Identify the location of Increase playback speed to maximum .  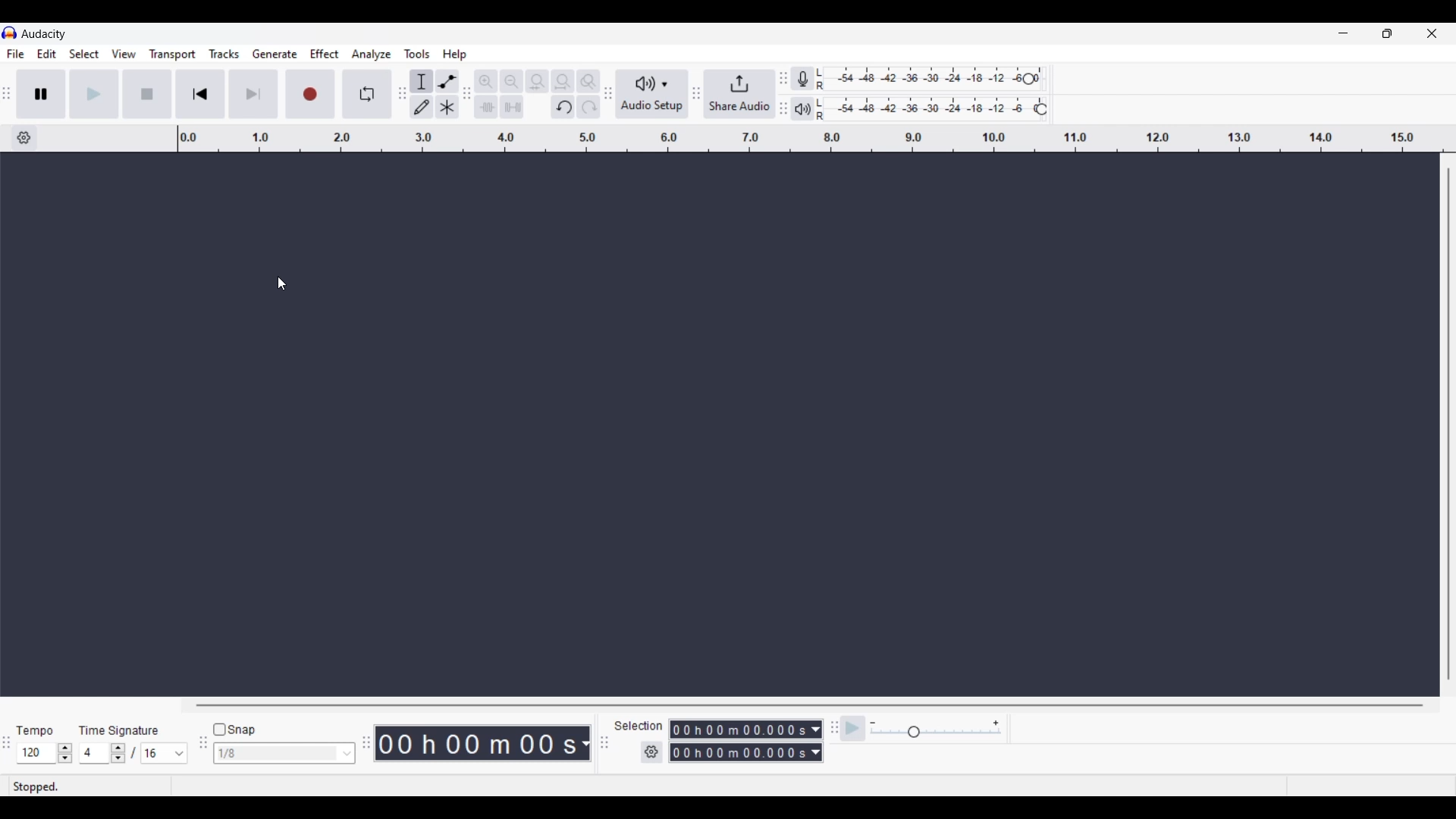
(996, 723).